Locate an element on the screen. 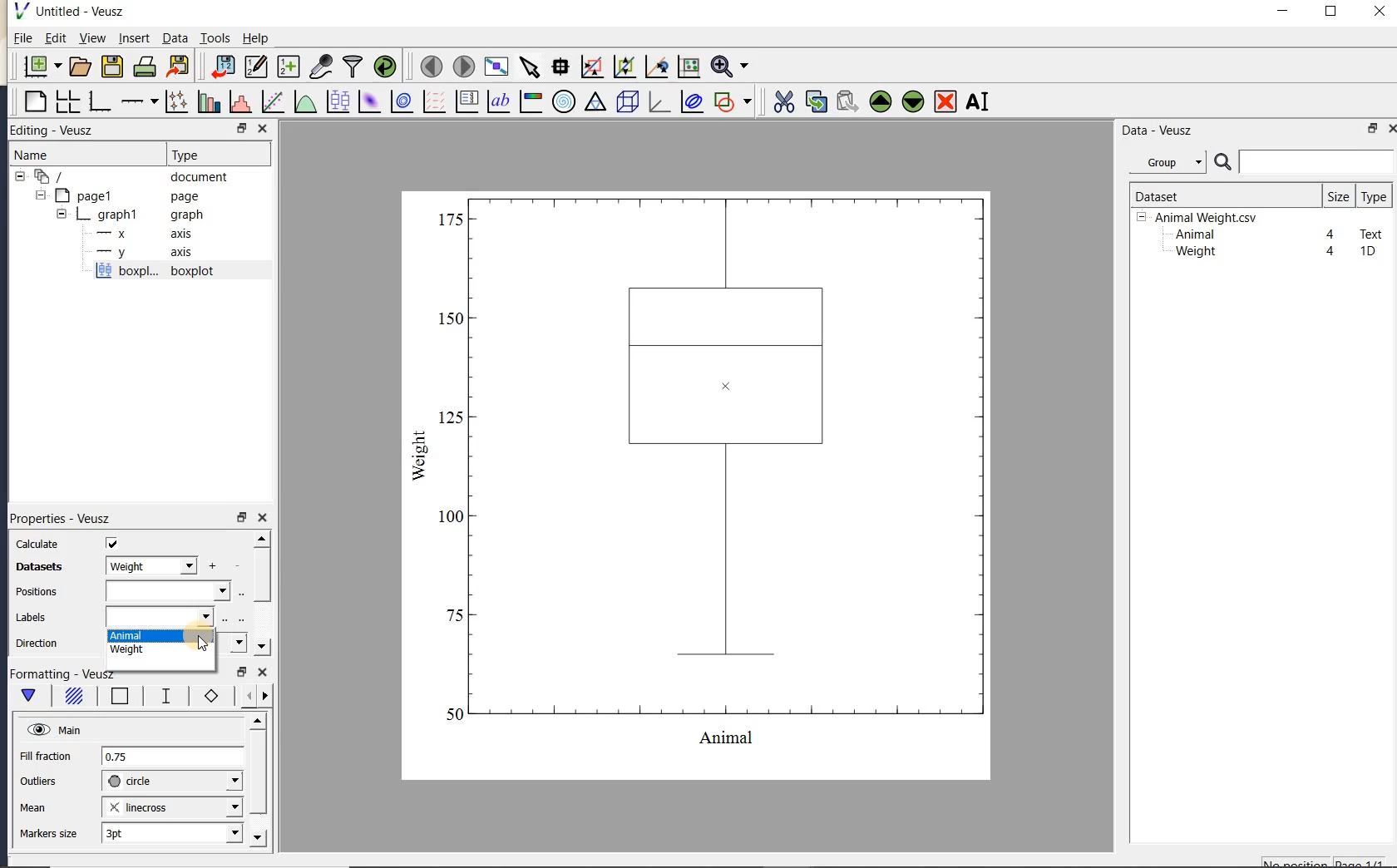  read data points on the graph is located at coordinates (560, 67).